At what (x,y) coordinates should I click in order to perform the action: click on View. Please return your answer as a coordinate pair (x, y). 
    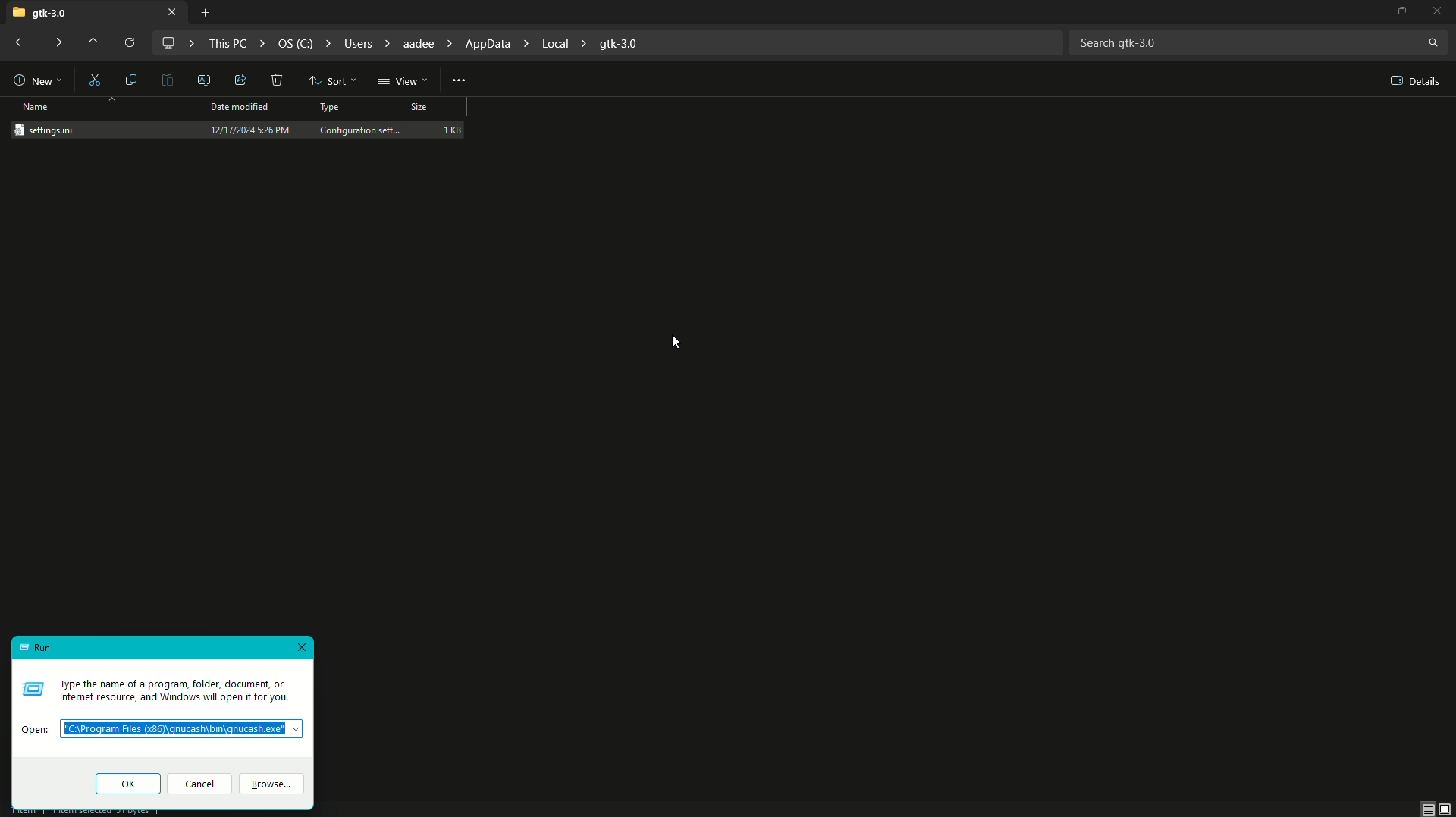
    Looking at the image, I should click on (403, 81).